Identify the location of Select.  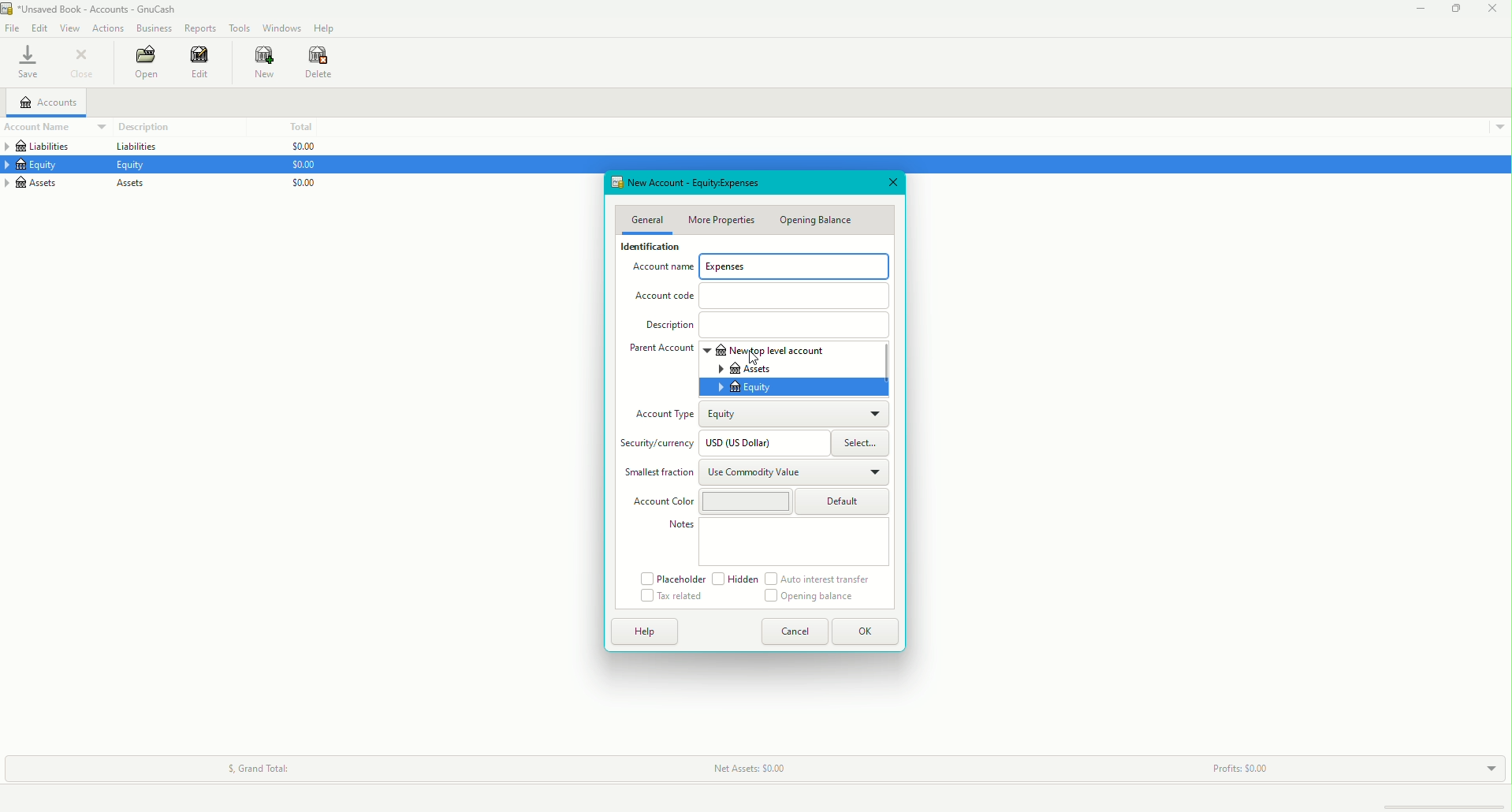
(859, 443).